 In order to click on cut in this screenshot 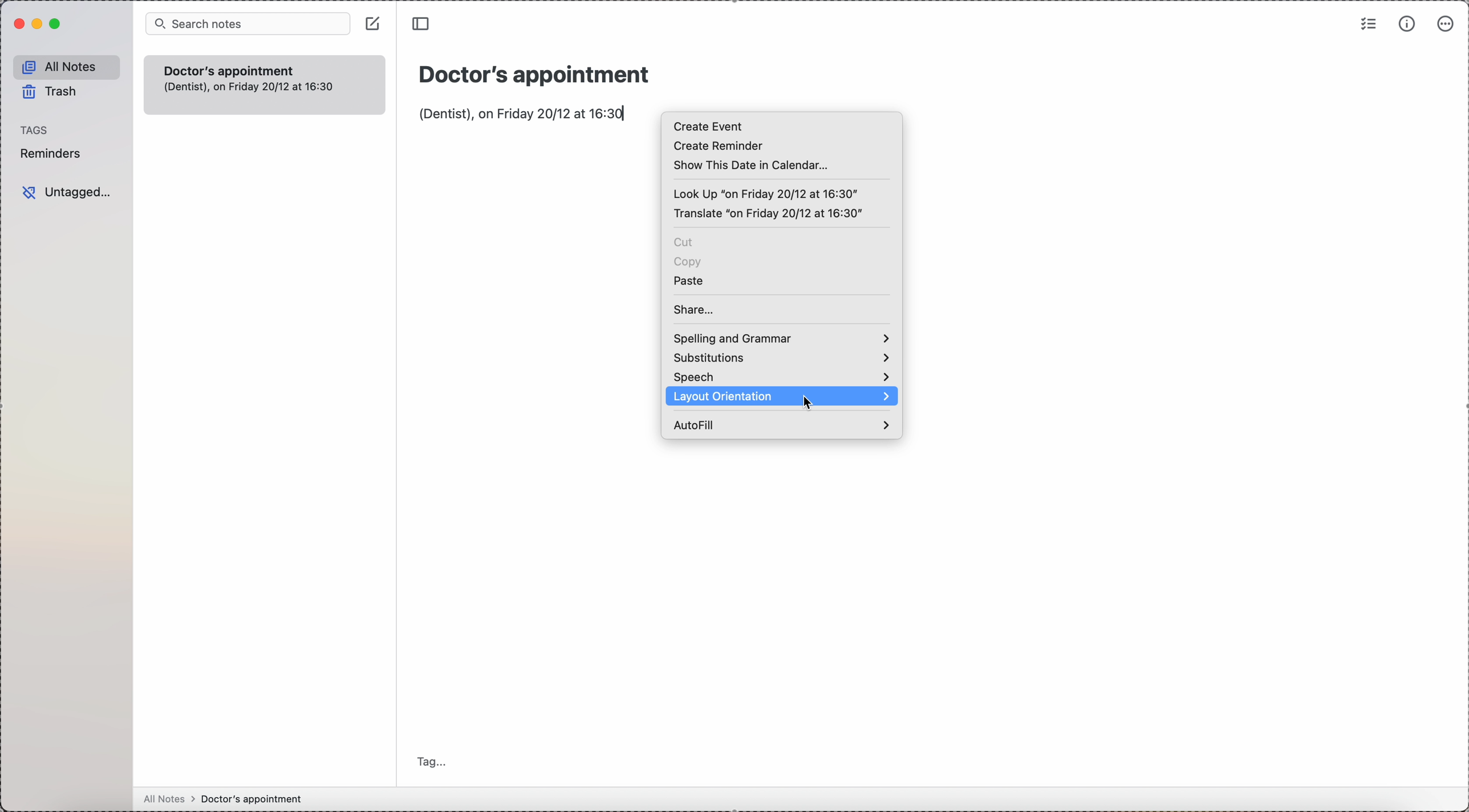, I will do `click(685, 242)`.